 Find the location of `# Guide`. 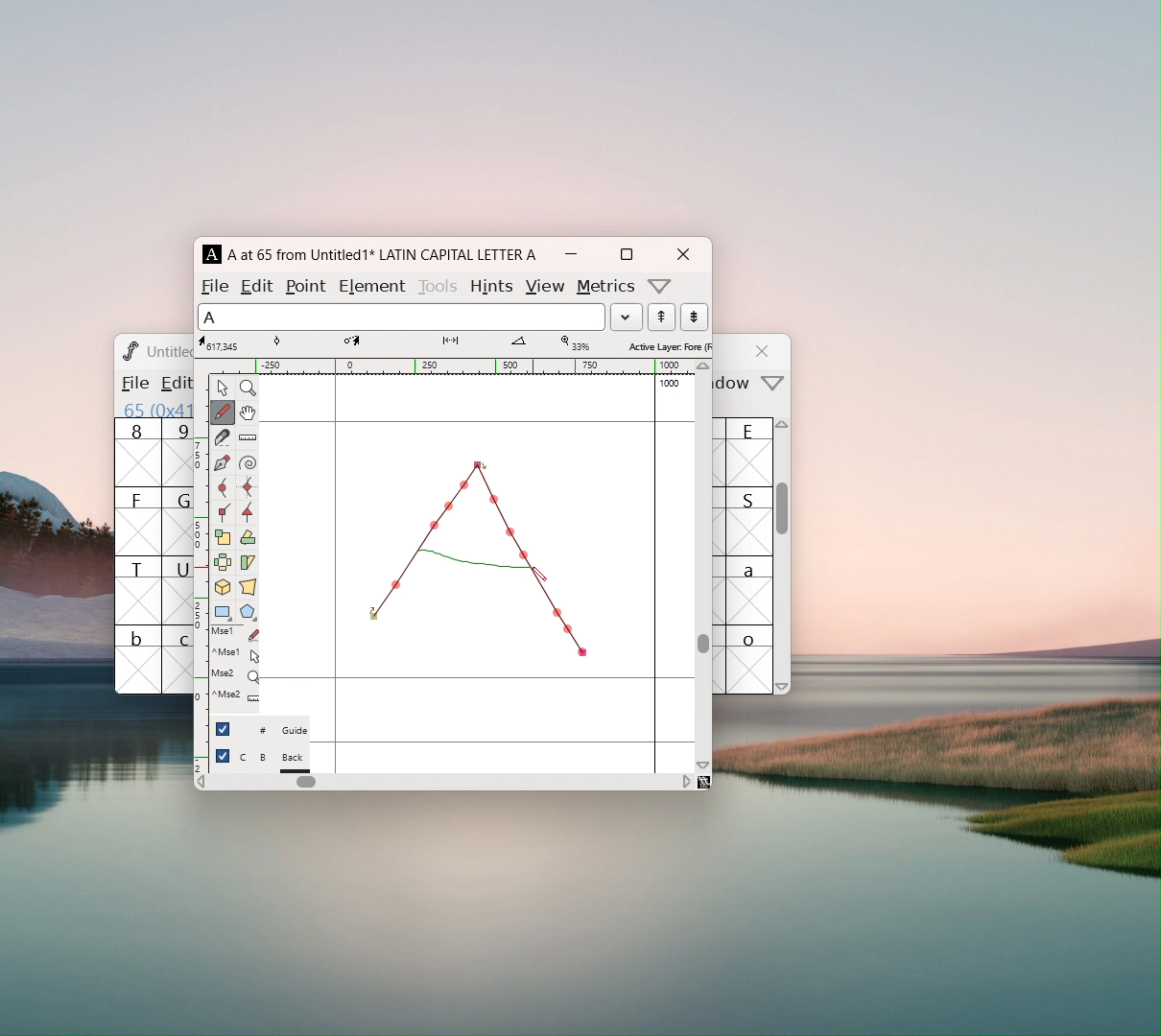

# Guide is located at coordinates (273, 731).